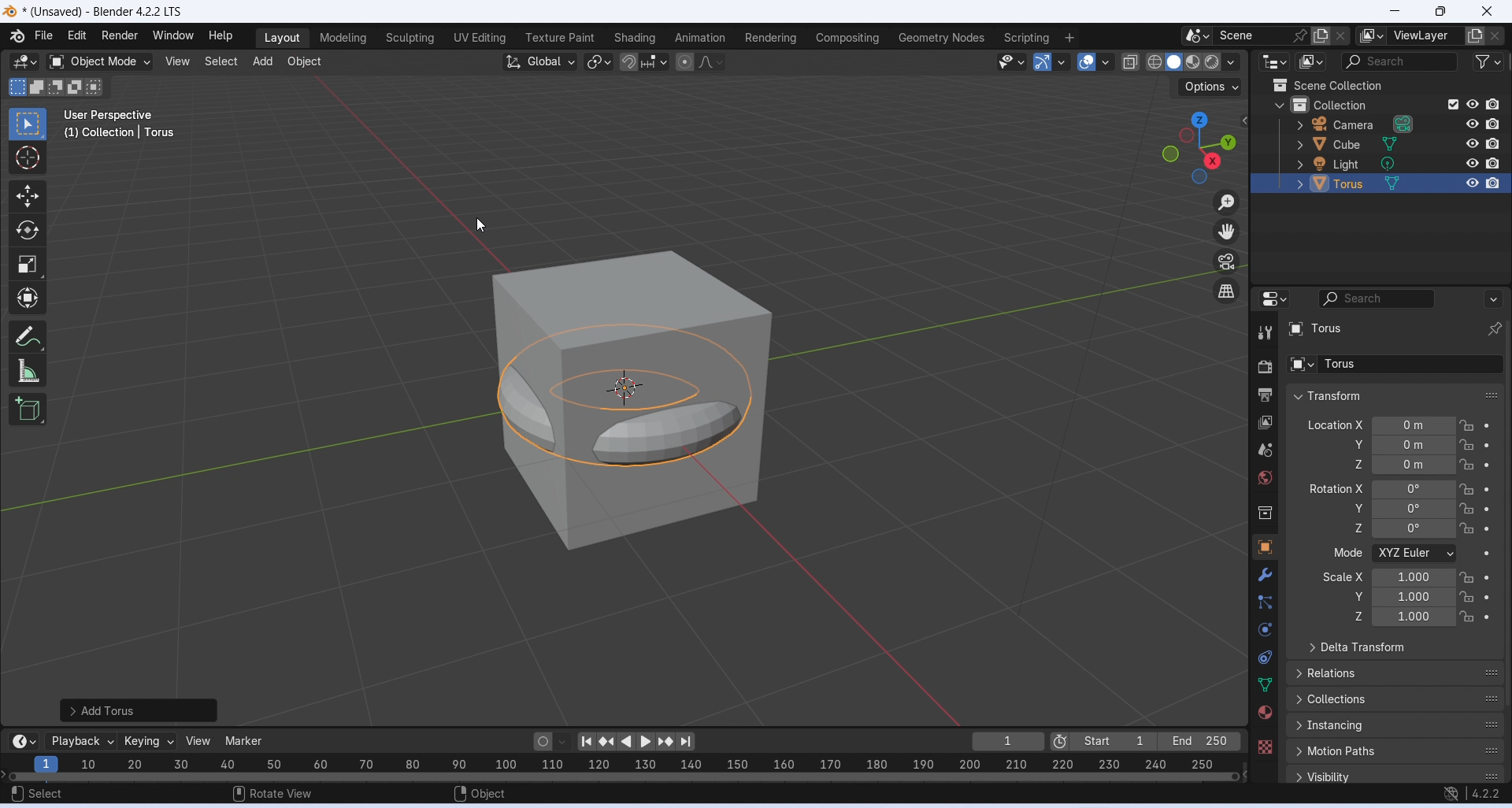  What do you see at coordinates (622, 396) in the screenshot?
I see `Torus` at bounding box center [622, 396].